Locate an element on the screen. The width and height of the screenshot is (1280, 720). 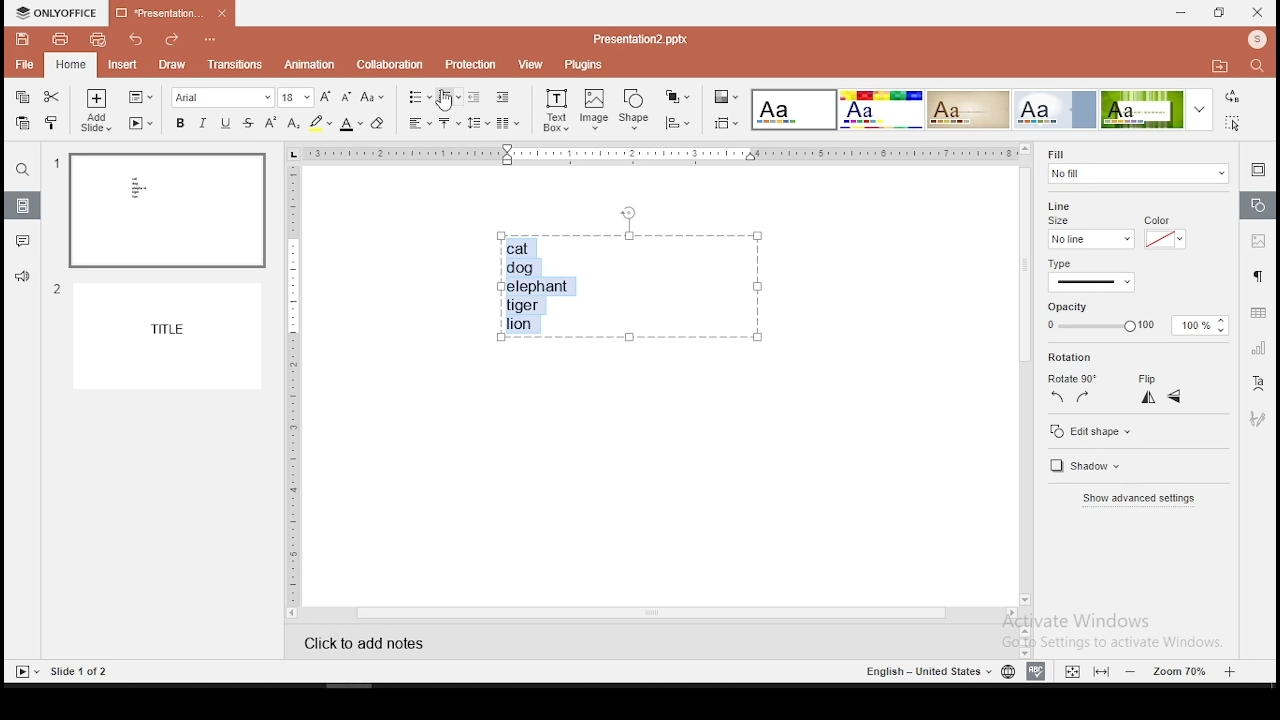
shape settings is located at coordinates (1257, 207).